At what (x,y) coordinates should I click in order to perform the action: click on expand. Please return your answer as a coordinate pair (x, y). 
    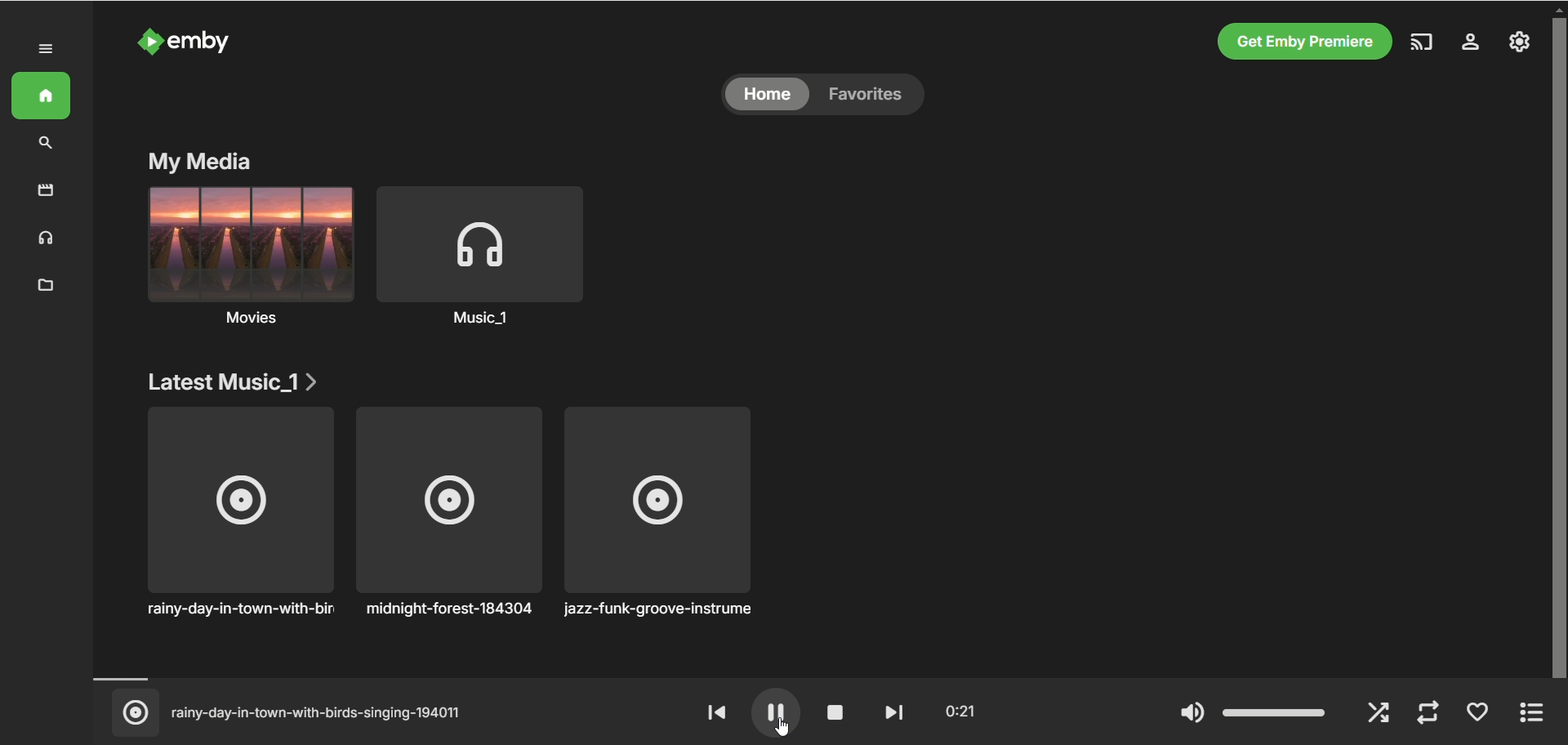
    Looking at the image, I should click on (1533, 712).